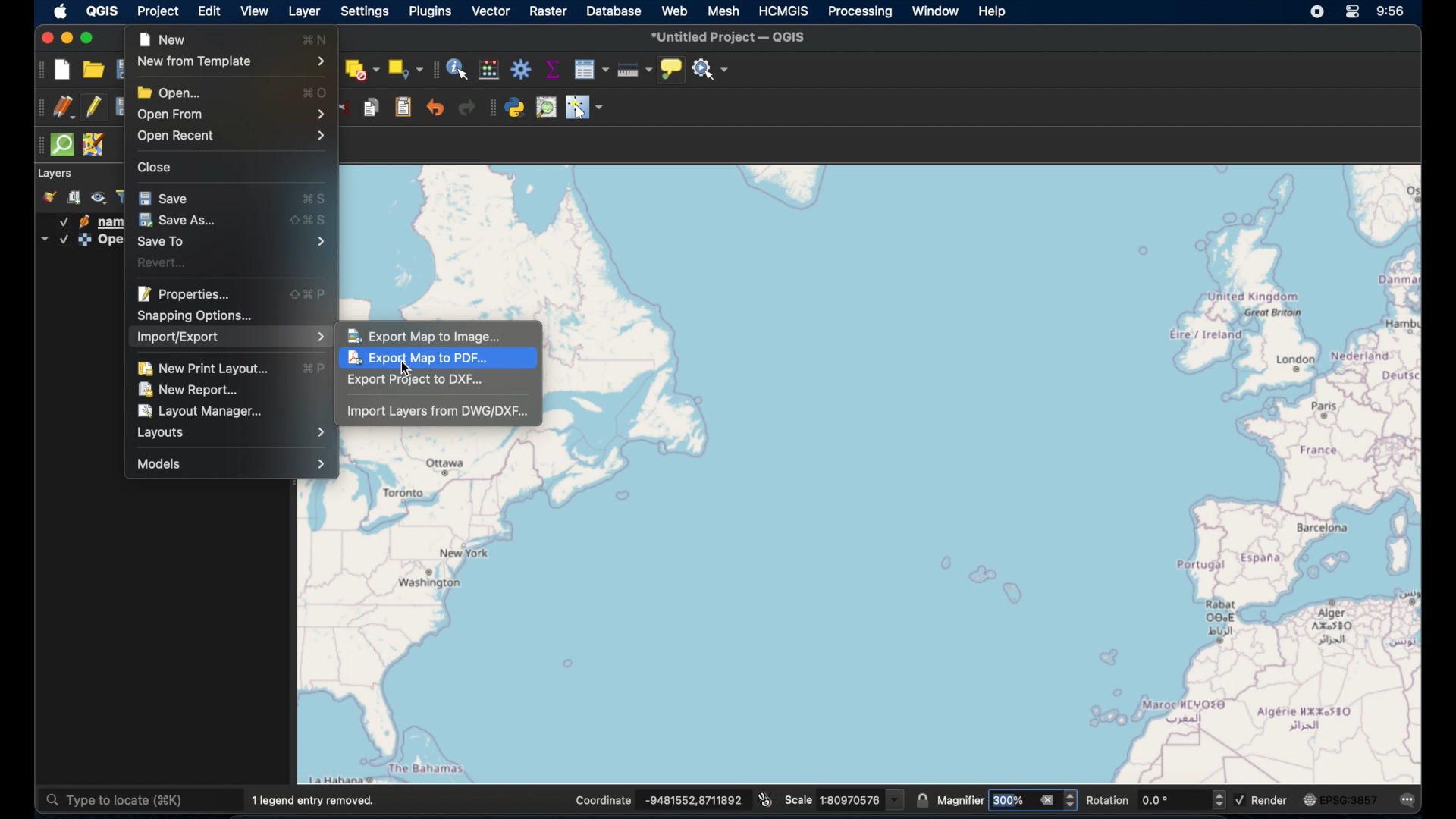 The image size is (1456, 819). What do you see at coordinates (488, 70) in the screenshot?
I see `open field calculator` at bounding box center [488, 70].